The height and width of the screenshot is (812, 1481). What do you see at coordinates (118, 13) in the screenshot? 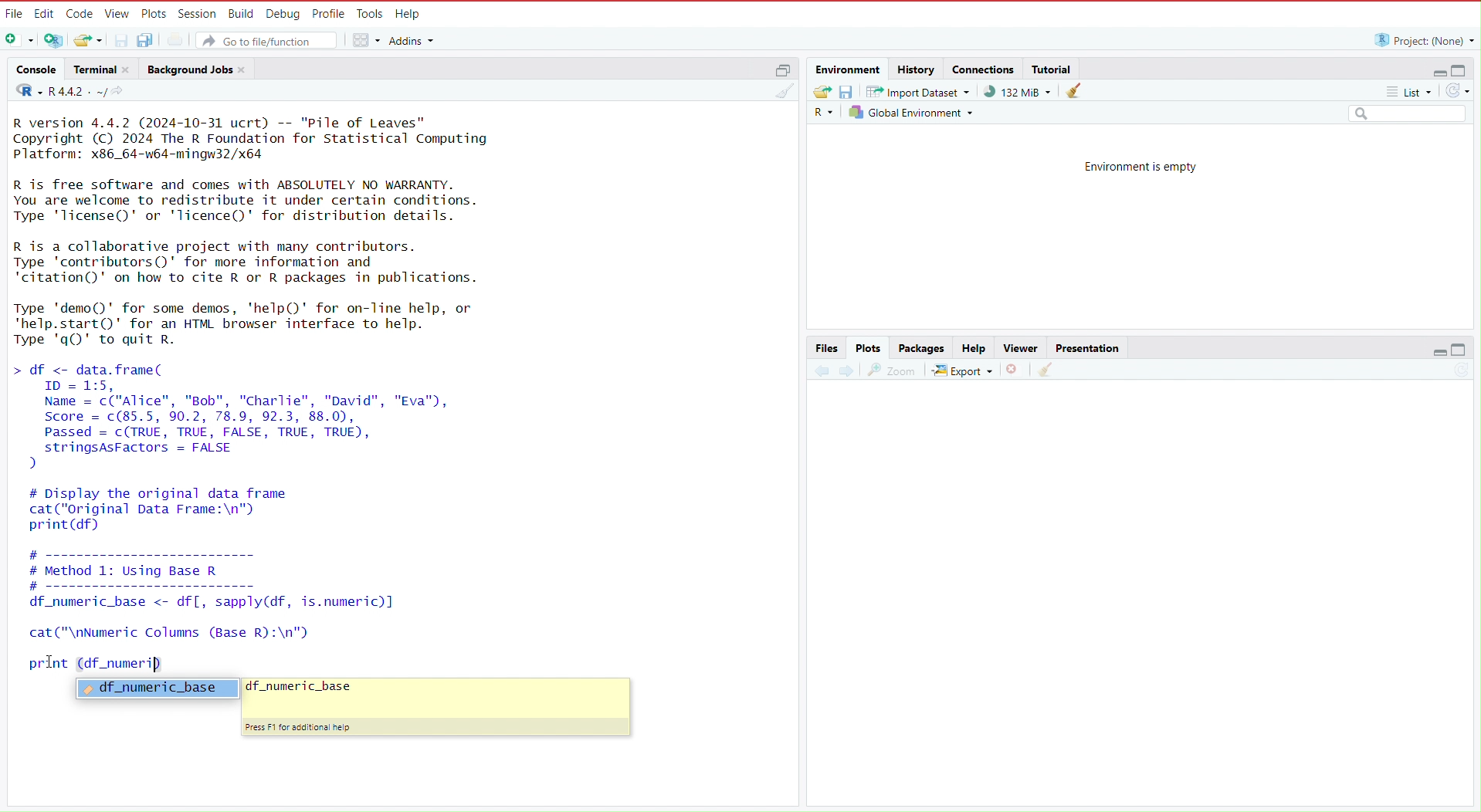
I see `View` at bounding box center [118, 13].